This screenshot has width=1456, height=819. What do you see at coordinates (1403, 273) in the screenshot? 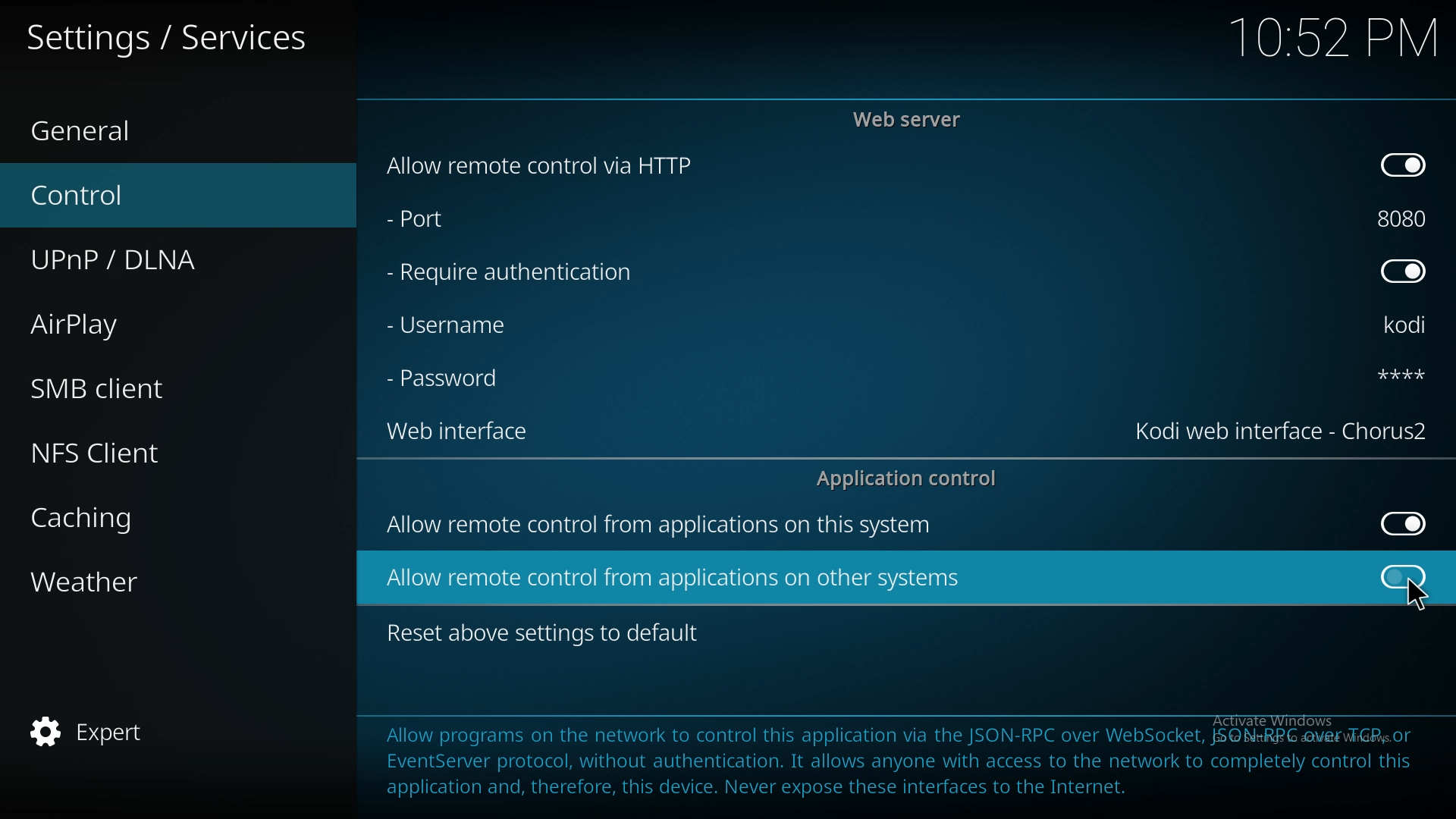
I see `toggle` at bounding box center [1403, 273].